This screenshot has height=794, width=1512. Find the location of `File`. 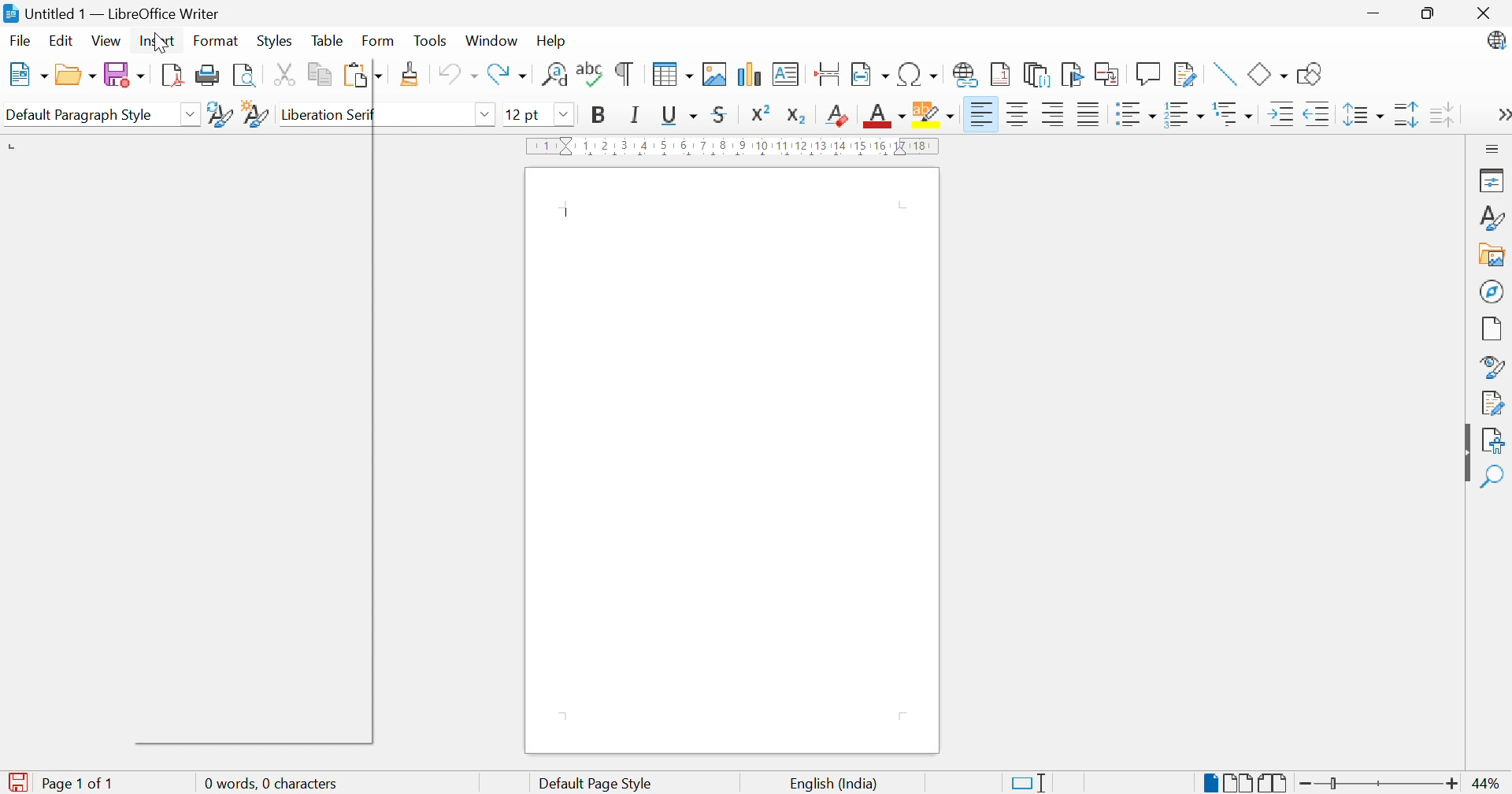

File is located at coordinates (18, 41).